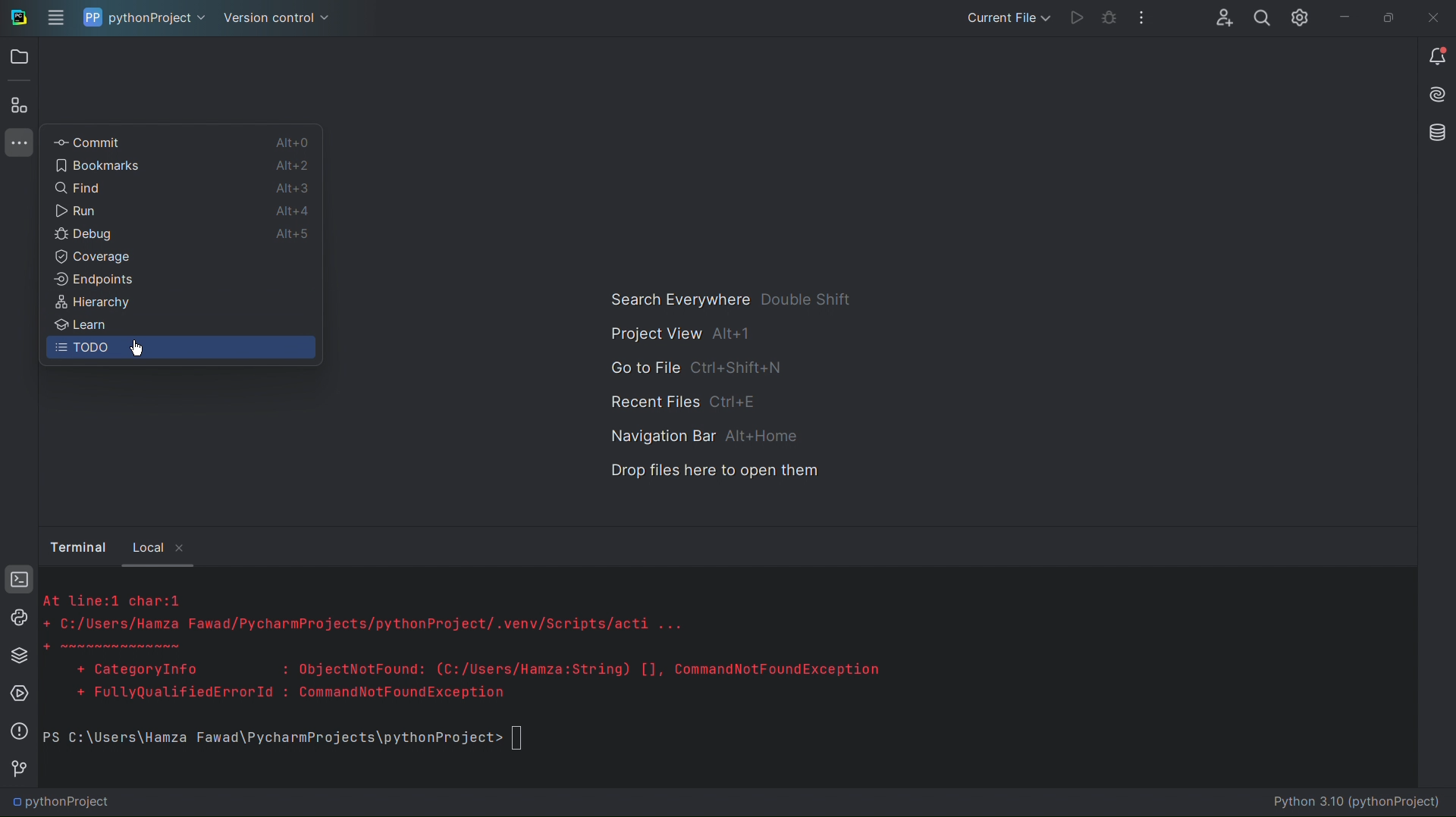 The height and width of the screenshot is (817, 1456). I want to click on Install AI Assistant, so click(1437, 95).